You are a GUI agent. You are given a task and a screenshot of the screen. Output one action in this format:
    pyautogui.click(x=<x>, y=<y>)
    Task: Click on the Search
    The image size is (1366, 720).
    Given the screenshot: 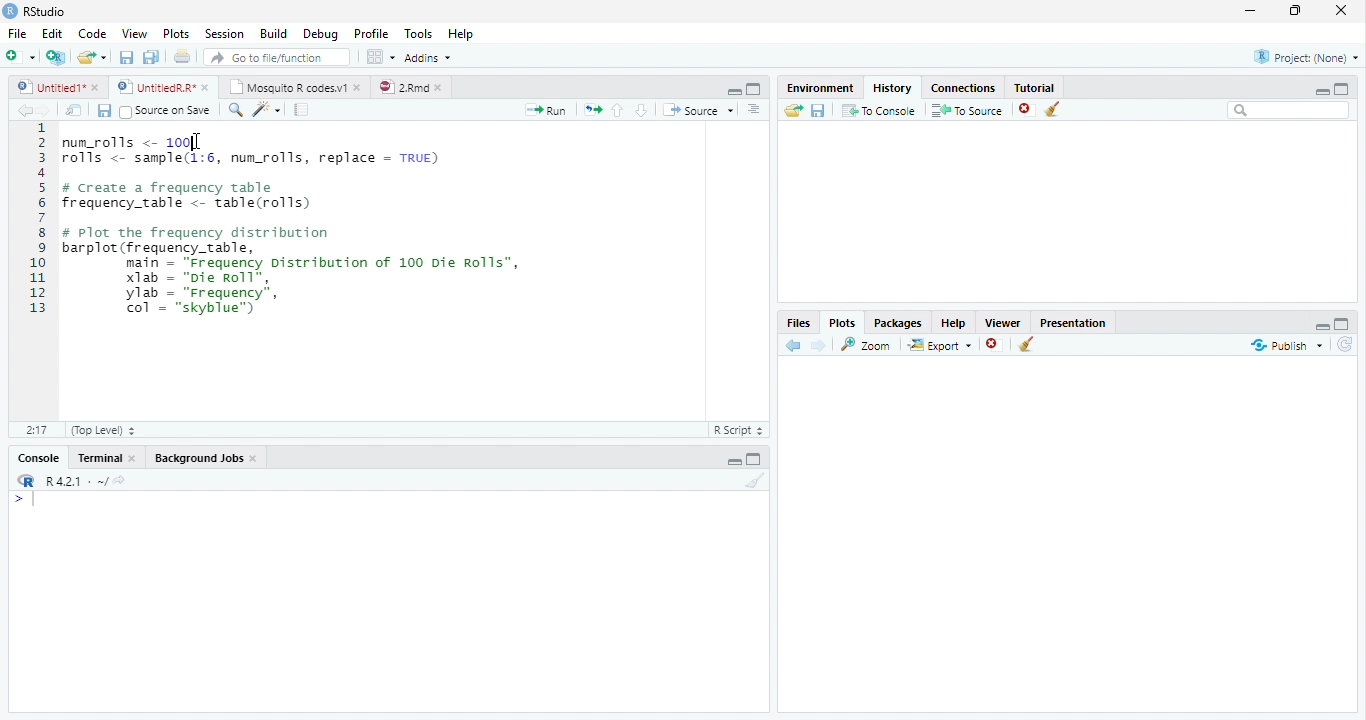 What is the action you would take?
    pyautogui.click(x=1287, y=110)
    